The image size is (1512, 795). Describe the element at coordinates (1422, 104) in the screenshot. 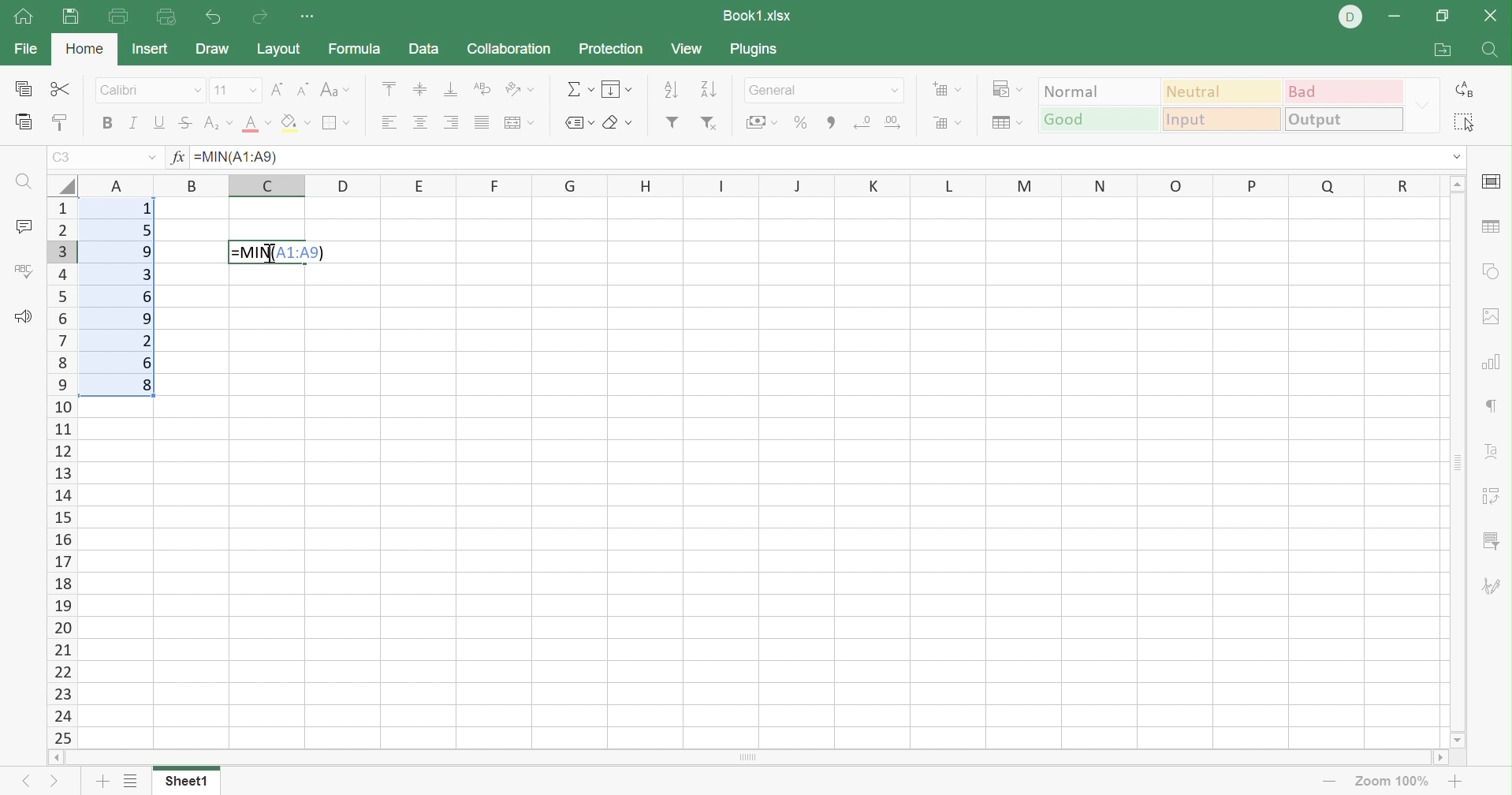

I see `Drop Down` at that location.